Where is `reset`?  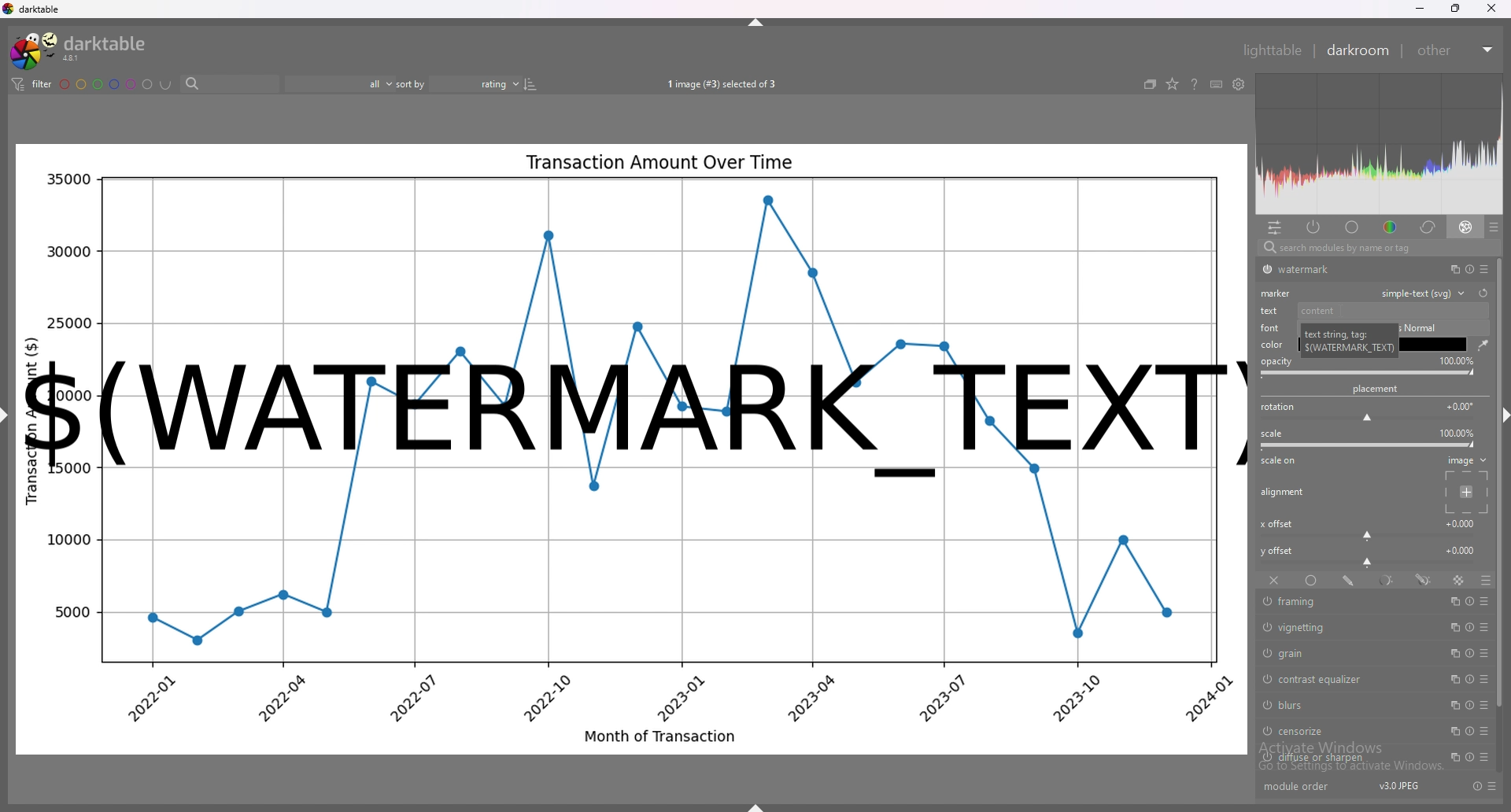 reset is located at coordinates (1483, 293).